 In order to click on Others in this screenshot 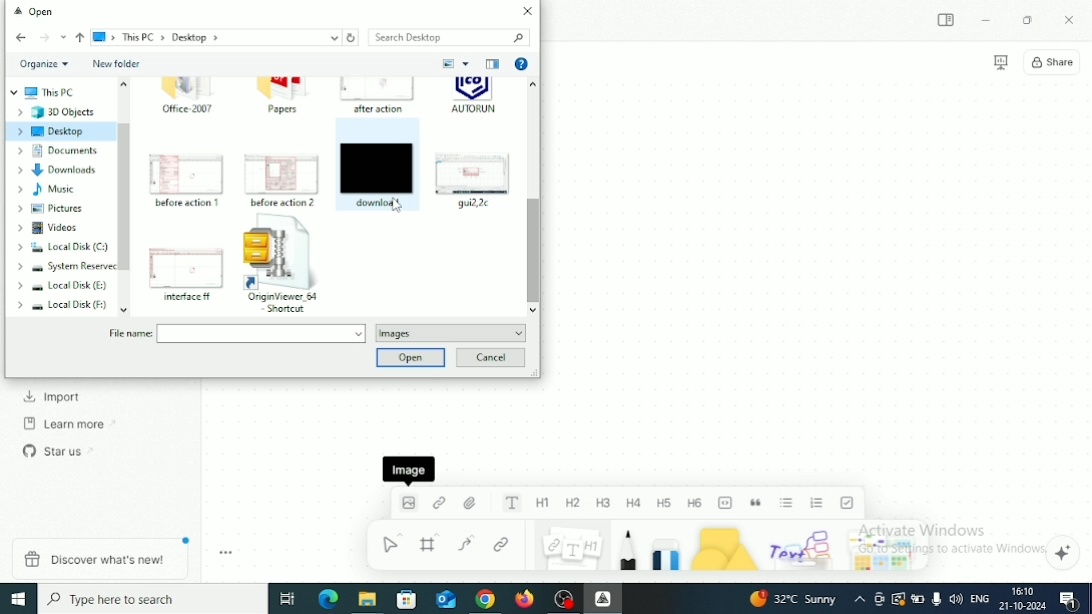, I will do `click(803, 547)`.